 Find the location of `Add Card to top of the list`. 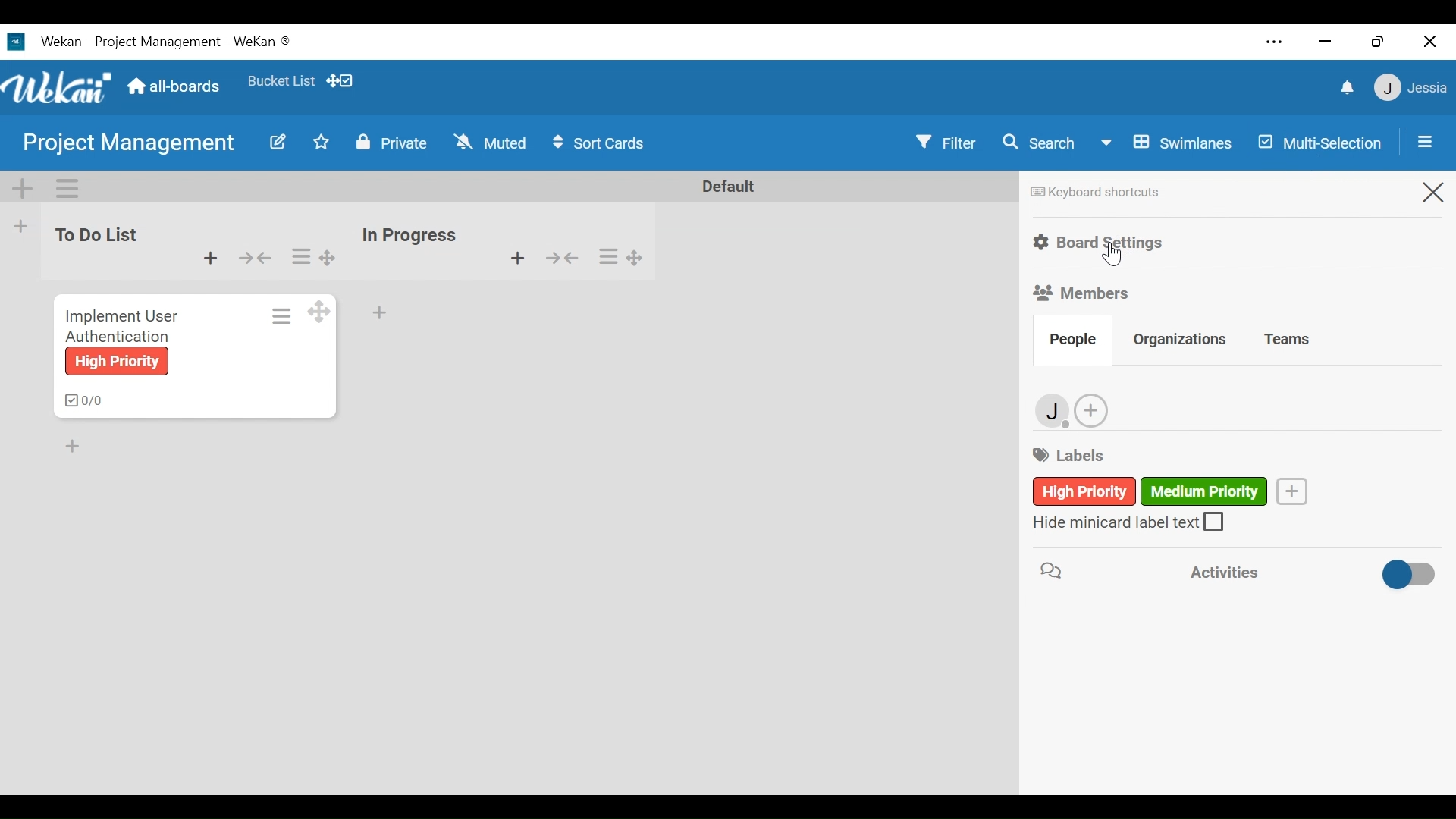

Add Card to top of the list is located at coordinates (211, 258).